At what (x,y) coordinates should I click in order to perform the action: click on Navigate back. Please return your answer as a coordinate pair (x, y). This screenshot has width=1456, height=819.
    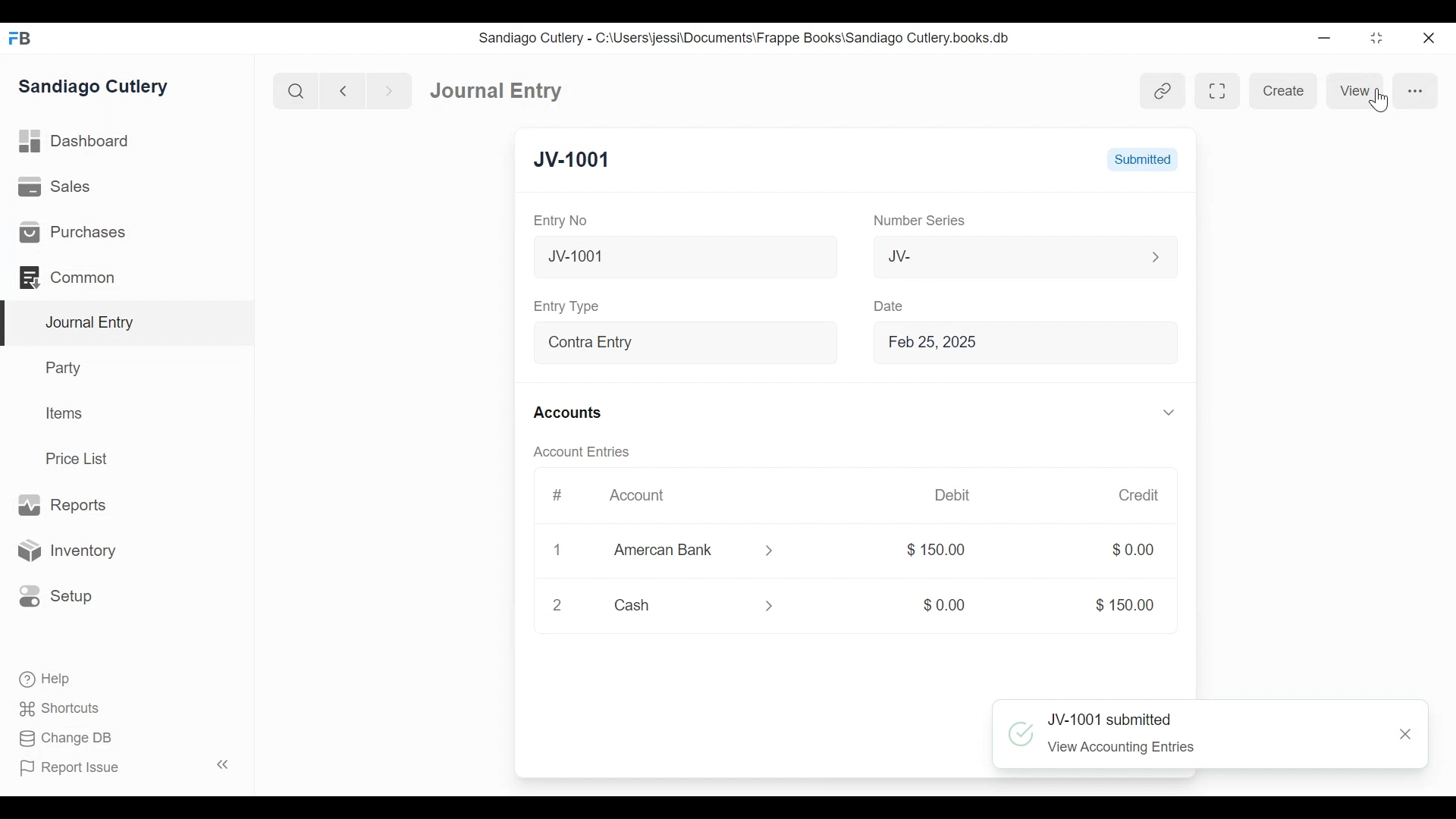
    Looking at the image, I should click on (343, 93).